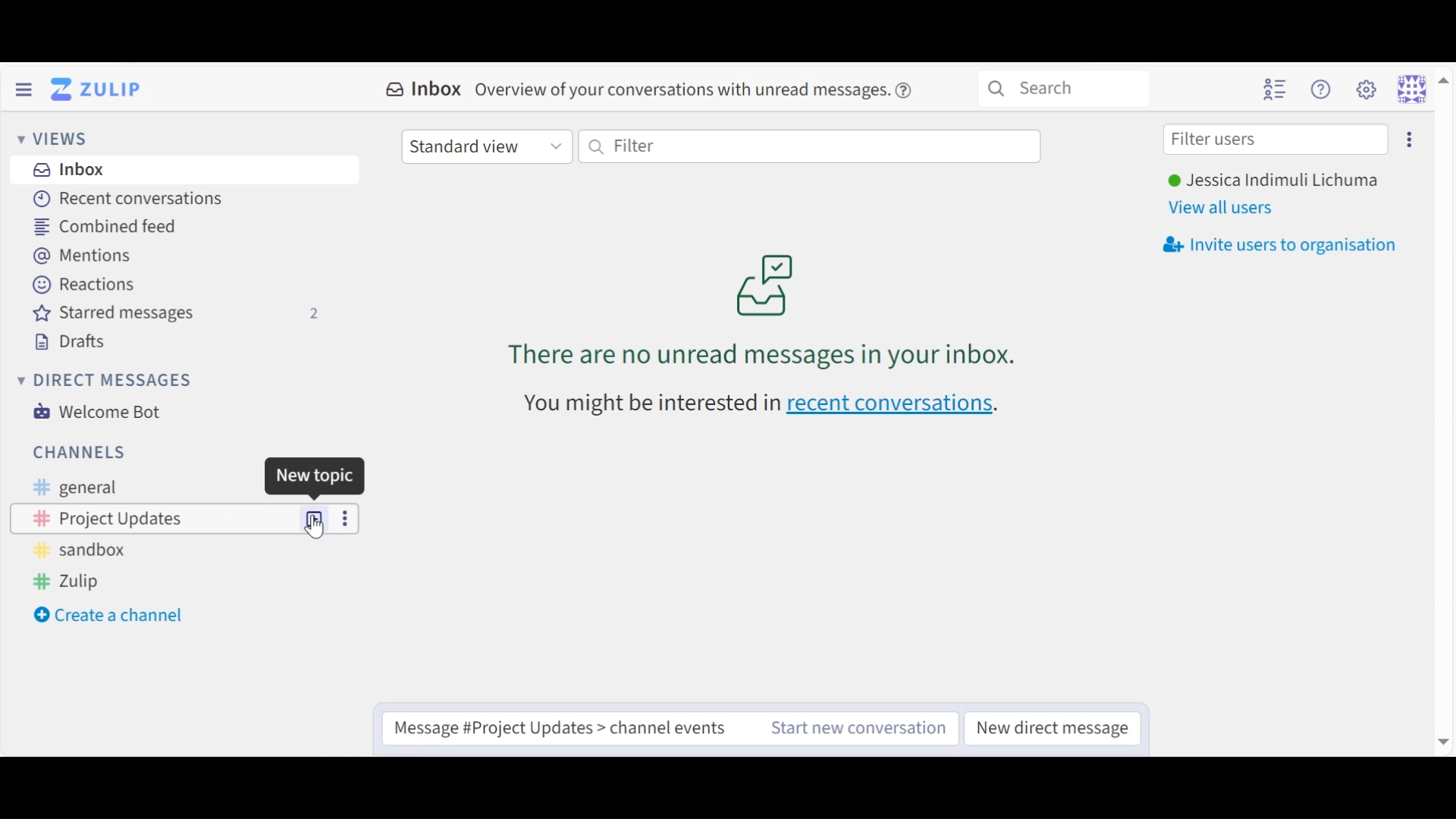  What do you see at coordinates (99, 89) in the screenshot?
I see `Go to Home View` at bounding box center [99, 89].